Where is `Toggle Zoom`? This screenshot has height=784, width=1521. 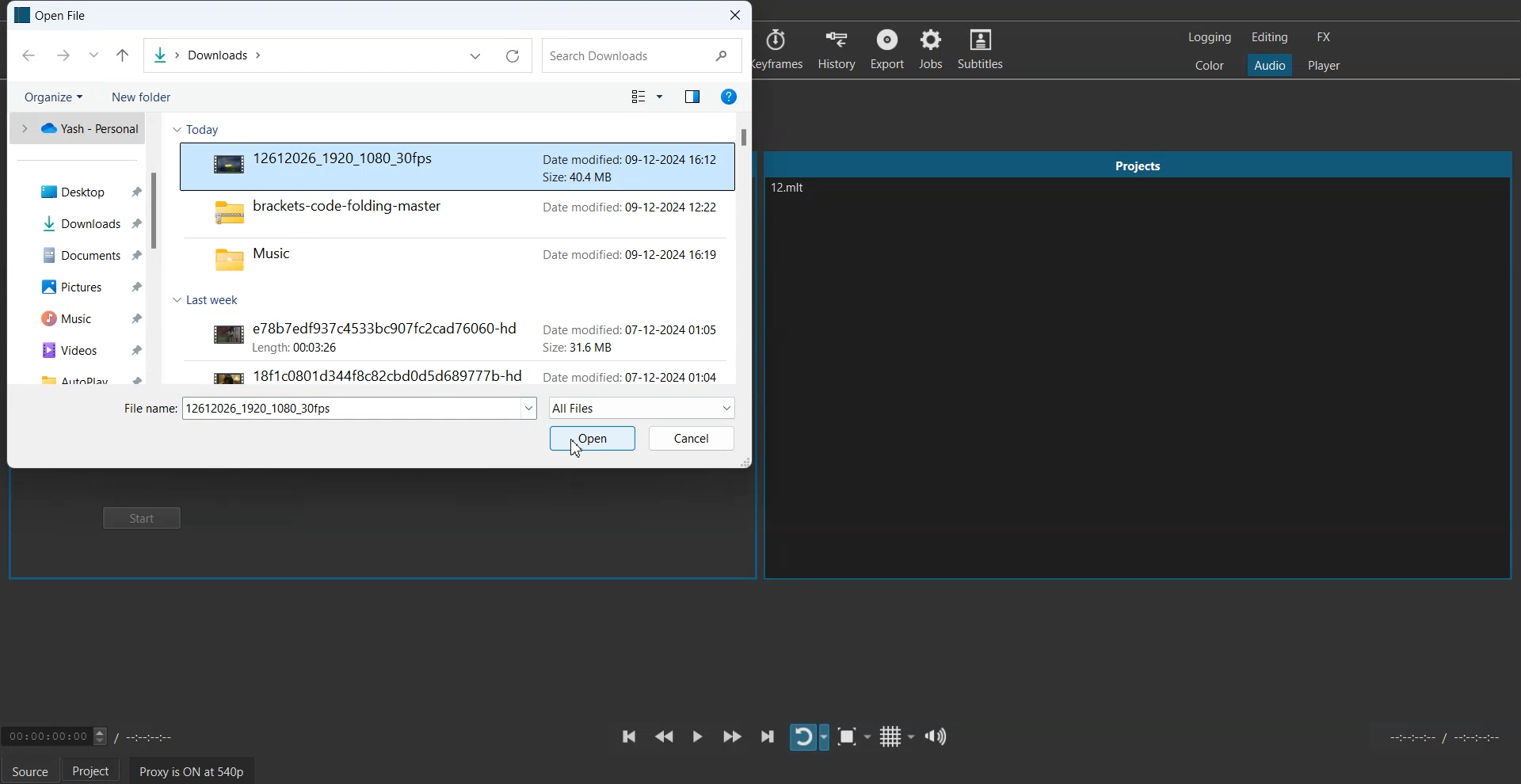
Toggle Zoom is located at coordinates (855, 737).